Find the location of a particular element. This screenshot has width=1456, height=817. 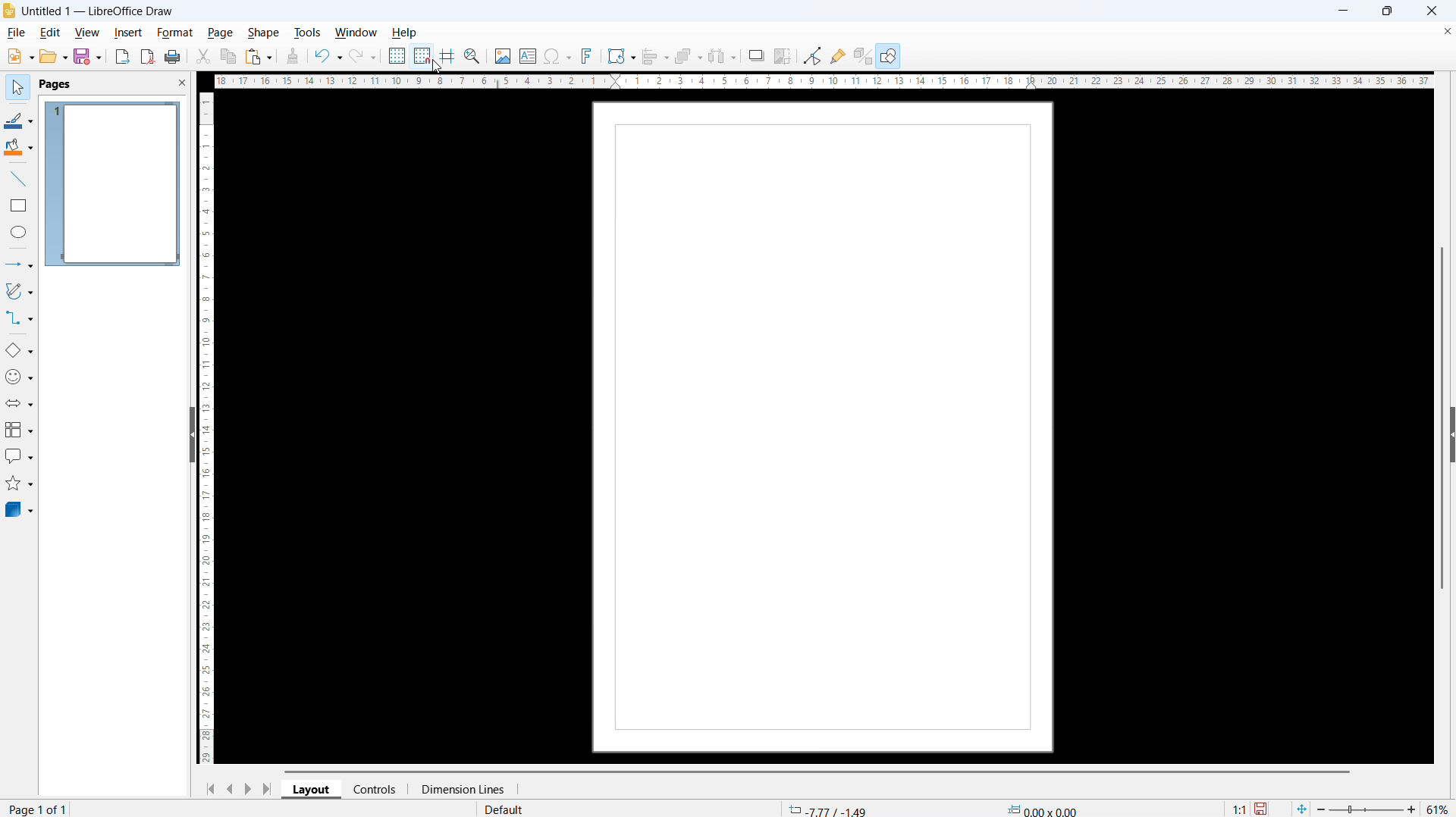

Scaling factor  is located at coordinates (1238, 809).